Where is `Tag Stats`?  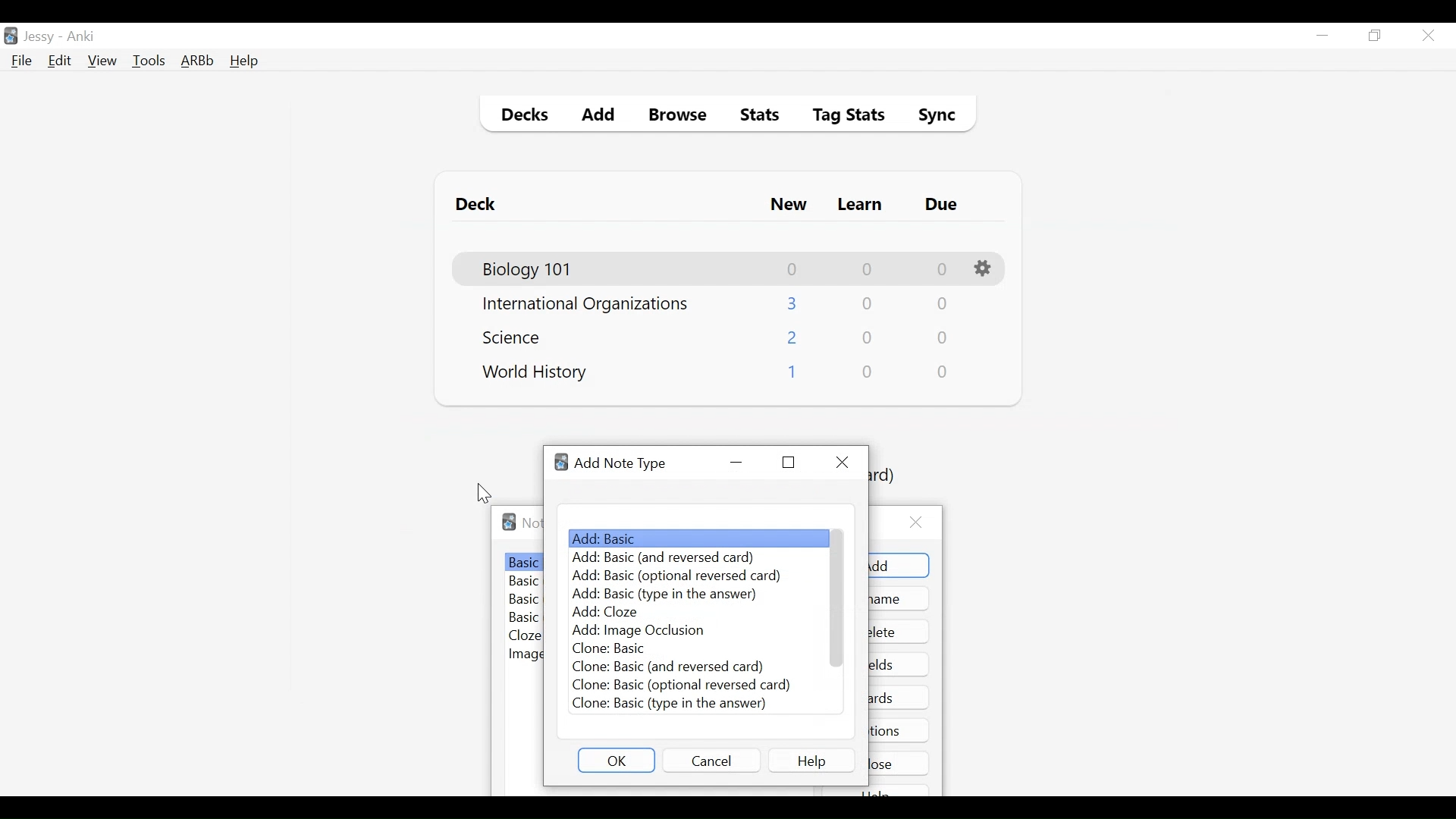 Tag Stats is located at coordinates (840, 117).